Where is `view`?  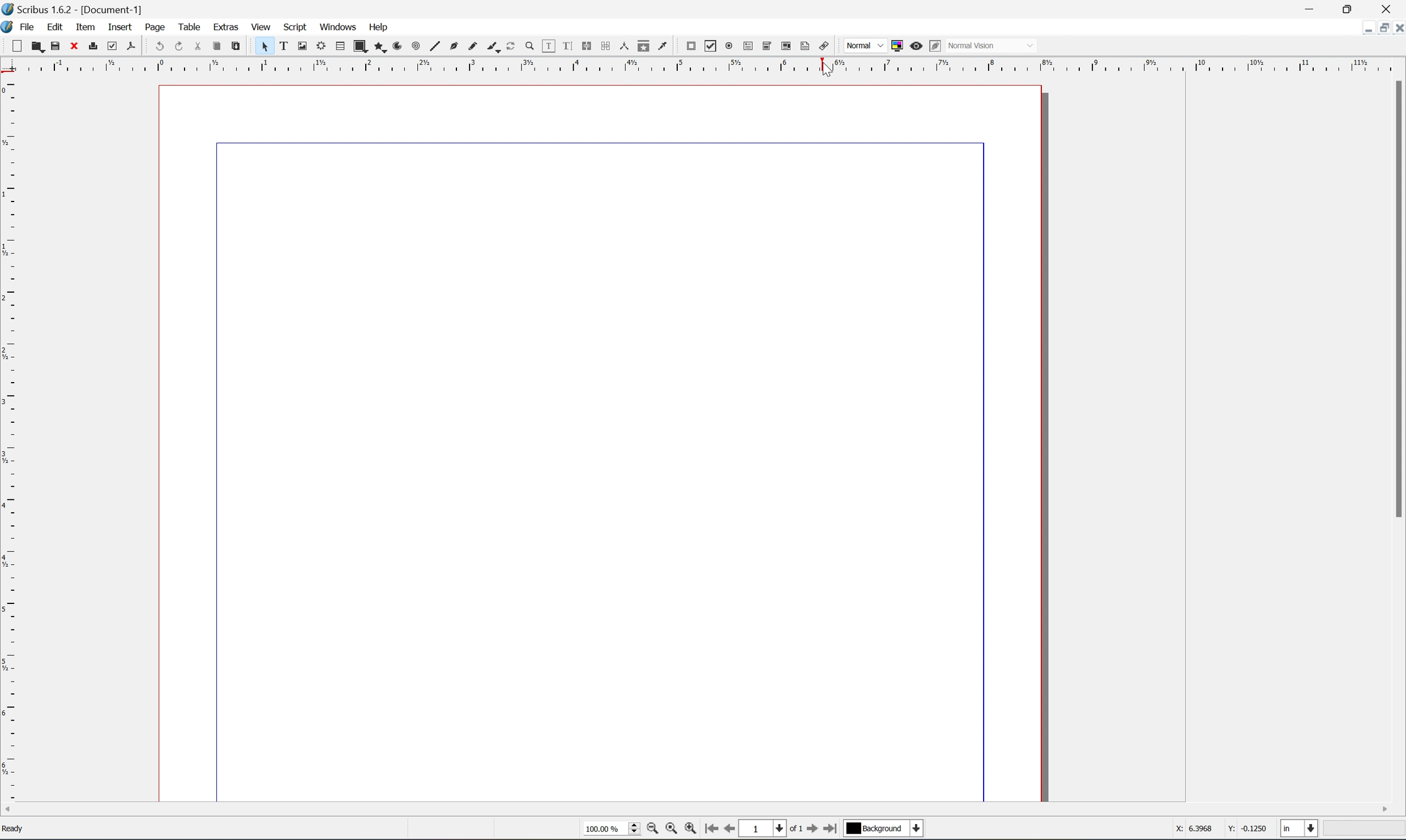 view is located at coordinates (263, 25).